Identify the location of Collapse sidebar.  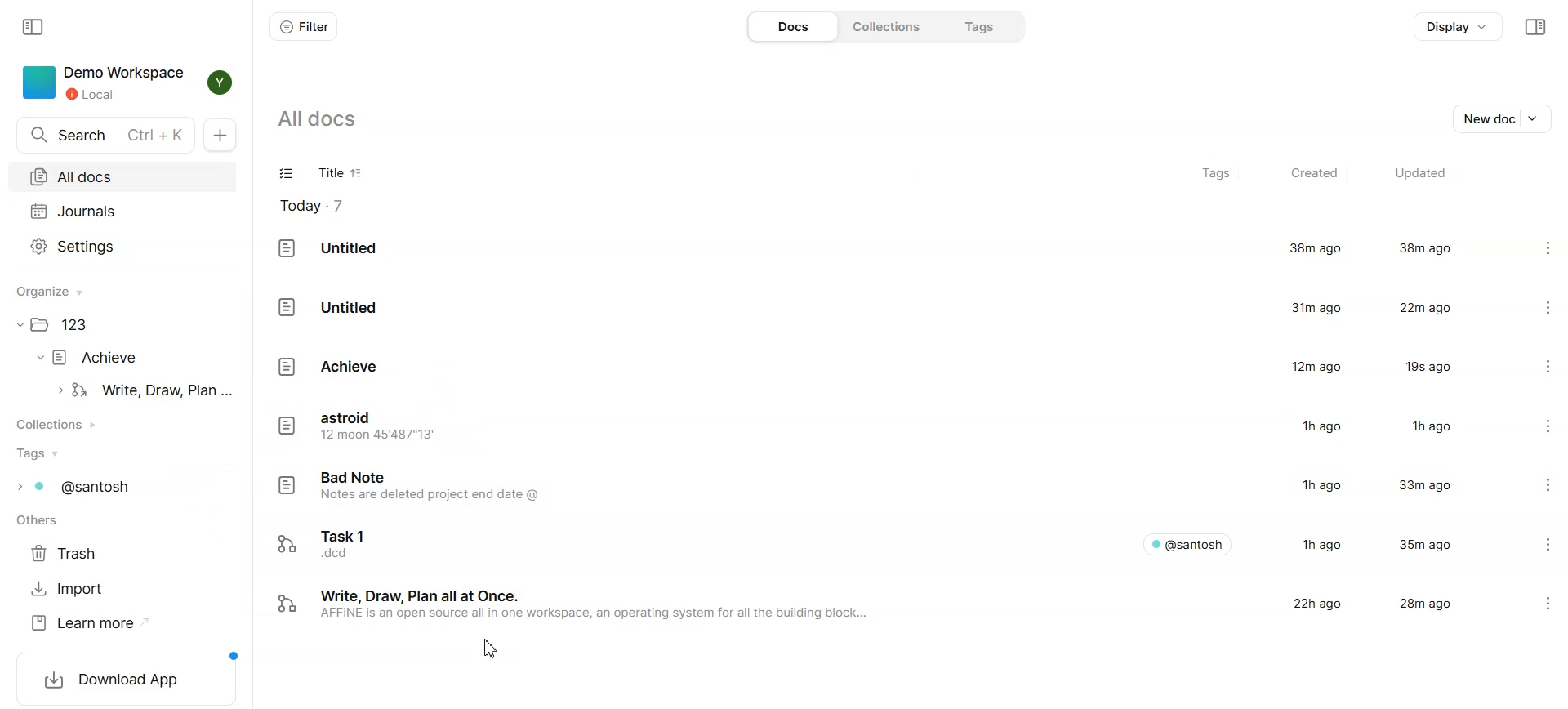
(1535, 27).